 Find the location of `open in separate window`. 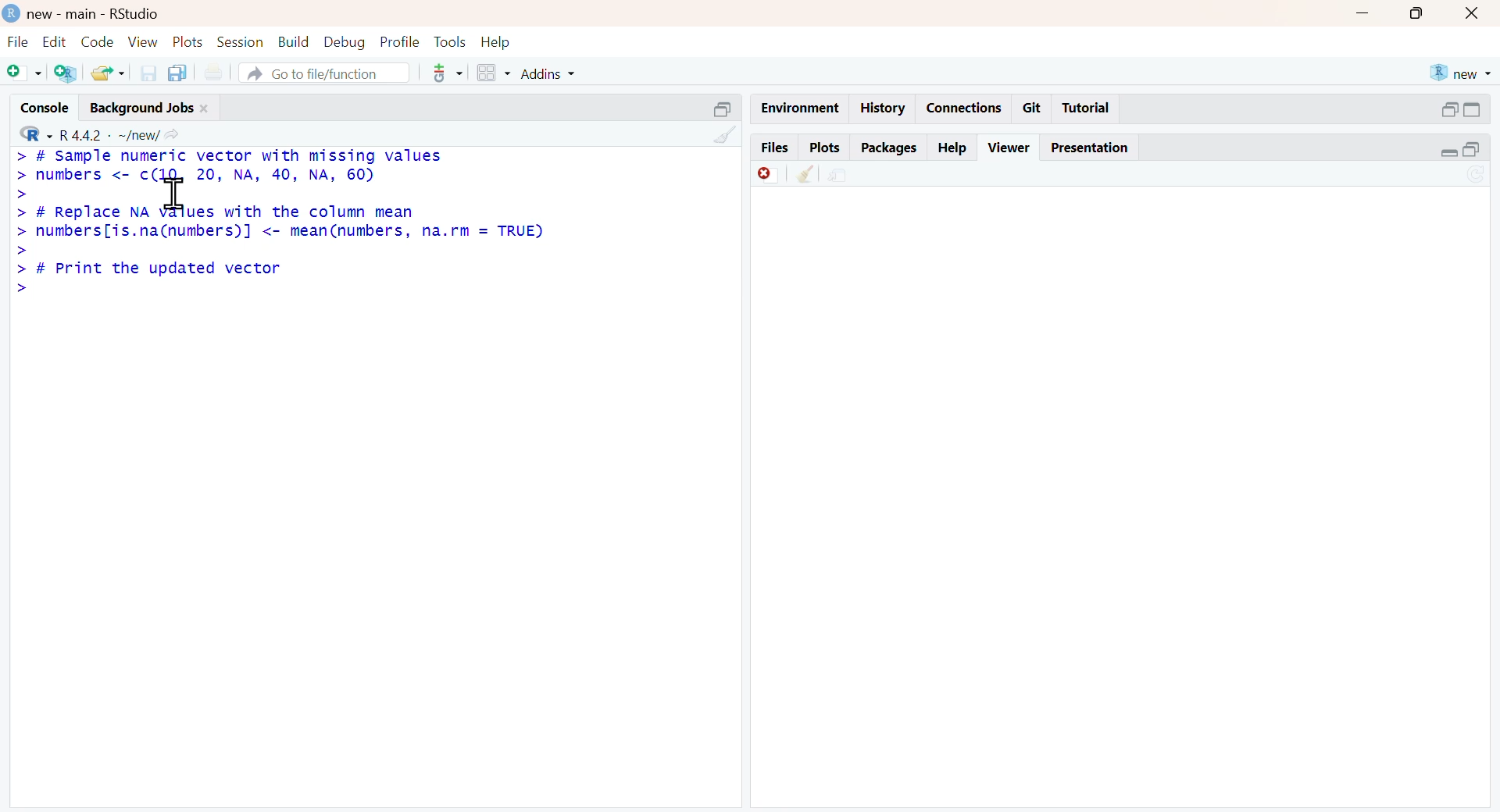

open in separate window is located at coordinates (1472, 149).